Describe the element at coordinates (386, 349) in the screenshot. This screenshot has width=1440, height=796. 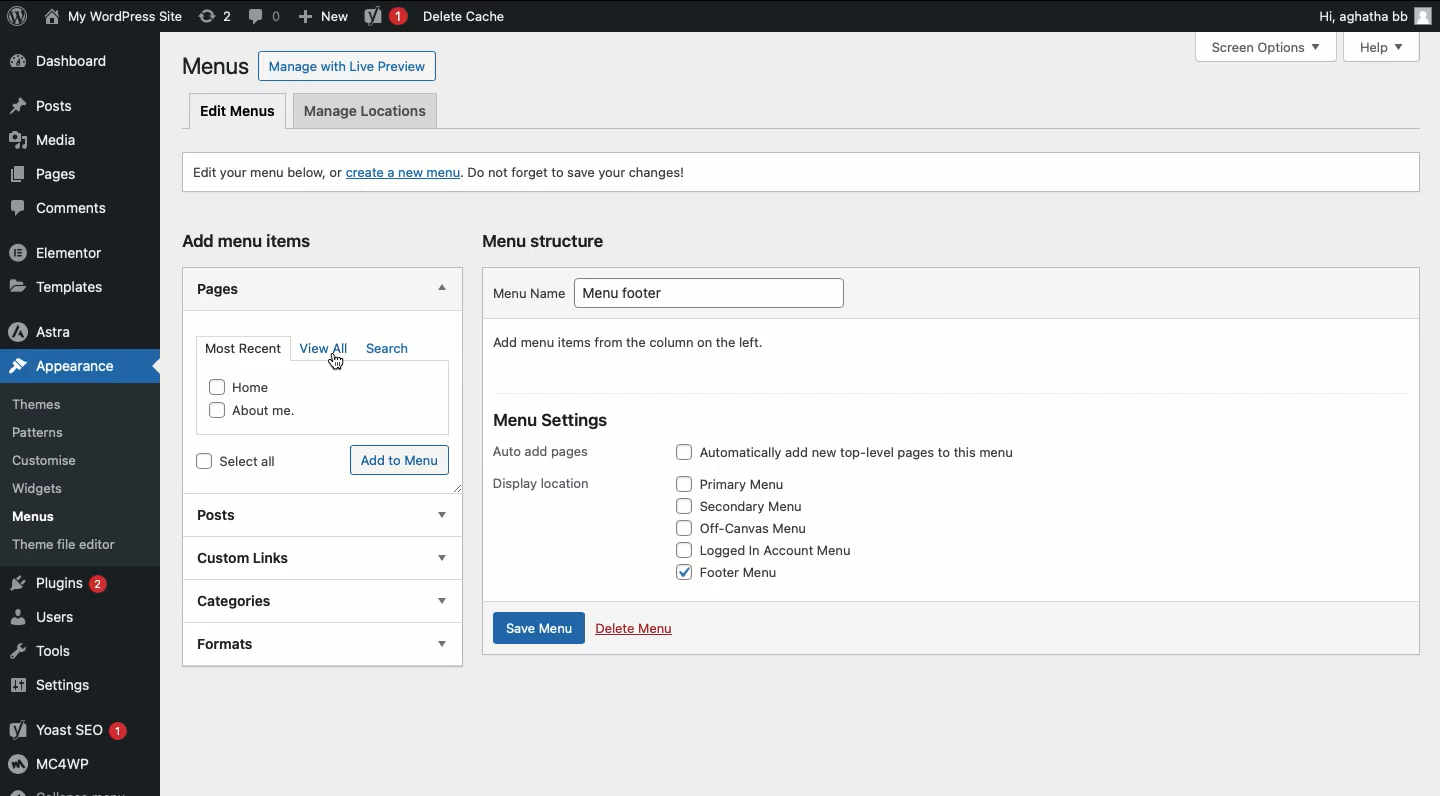
I see `Search` at that location.